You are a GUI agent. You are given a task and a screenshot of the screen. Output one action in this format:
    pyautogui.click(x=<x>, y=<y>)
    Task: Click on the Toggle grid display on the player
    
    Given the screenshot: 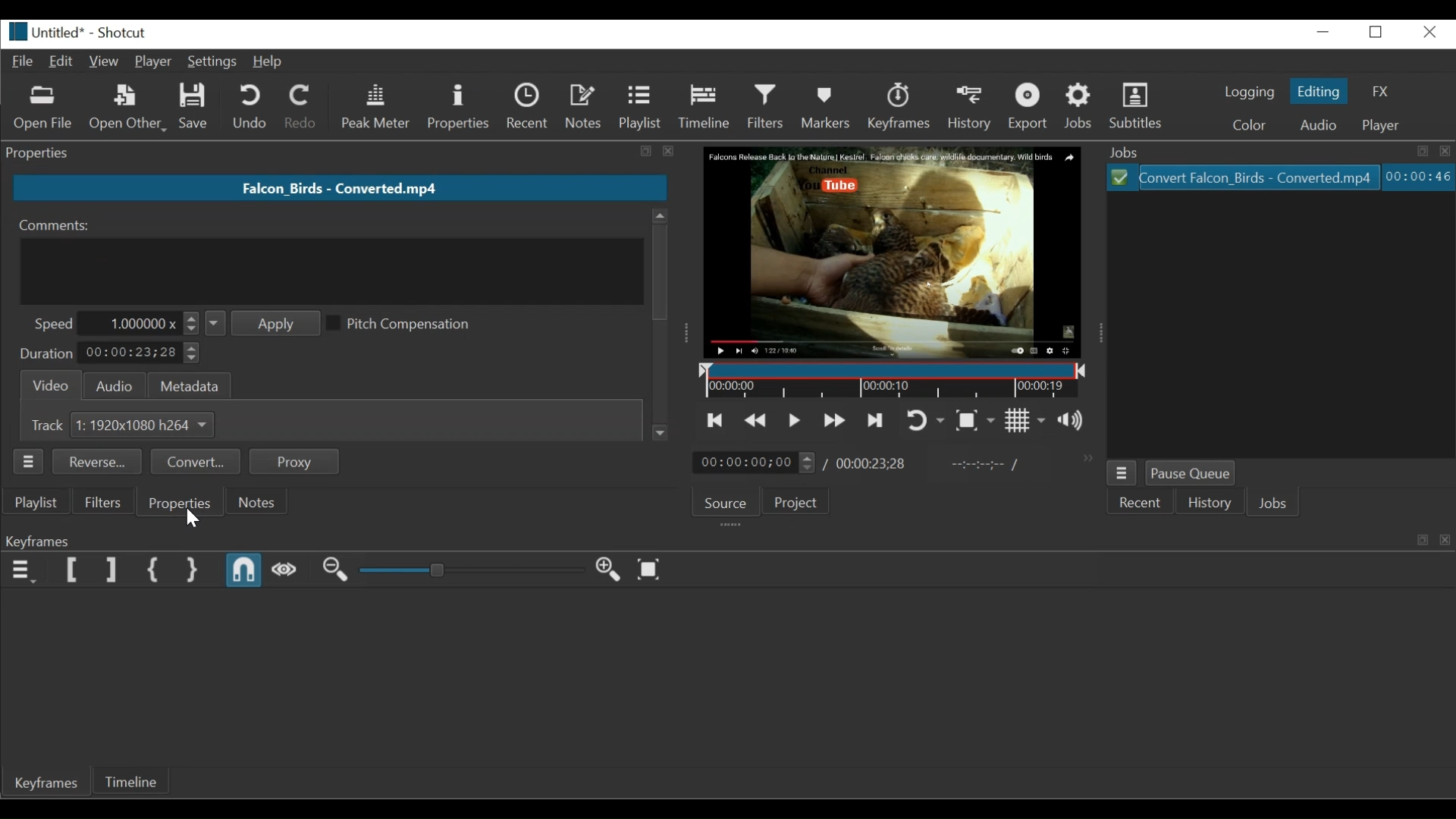 What is the action you would take?
    pyautogui.click(x=1025, y=421)
    